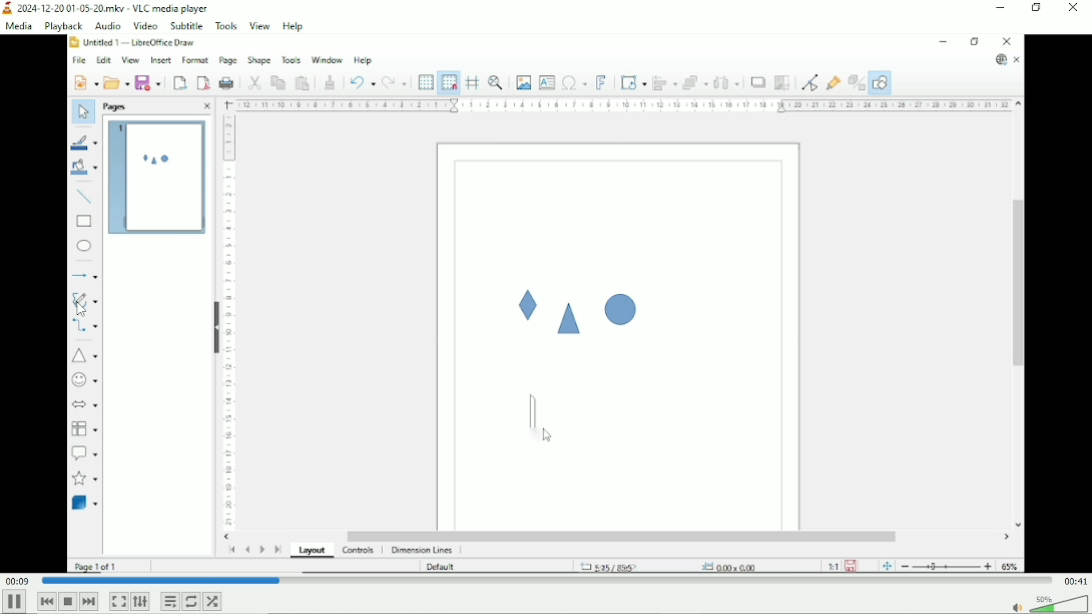  What do you see at coordinates (1076, 580) in the screenshot?
I see `Total duration` at bounding box center [1076, 580].